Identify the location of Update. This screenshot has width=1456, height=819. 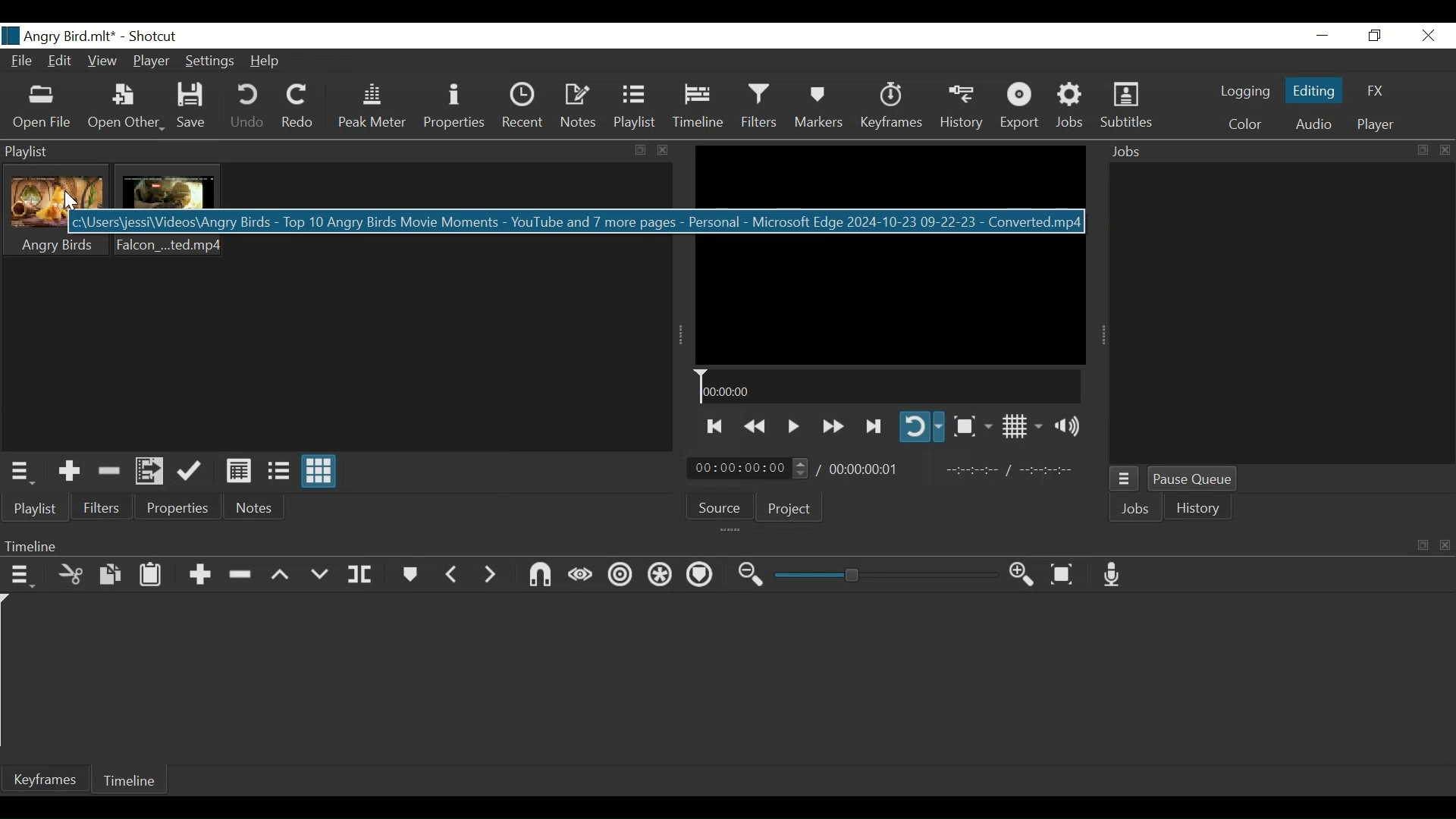
(190, 471).